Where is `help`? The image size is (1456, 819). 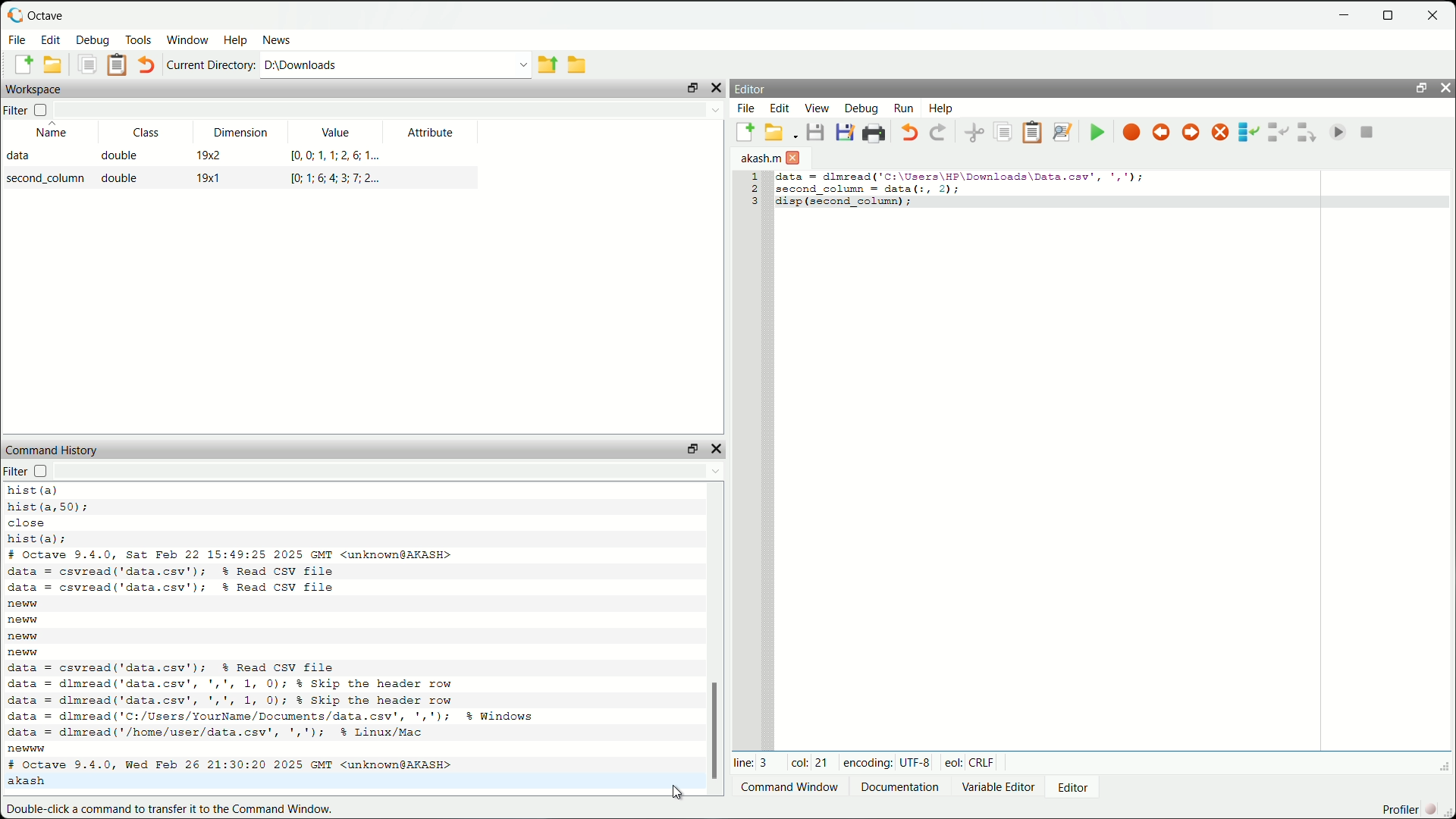
help is located at coordinates (236, 40).